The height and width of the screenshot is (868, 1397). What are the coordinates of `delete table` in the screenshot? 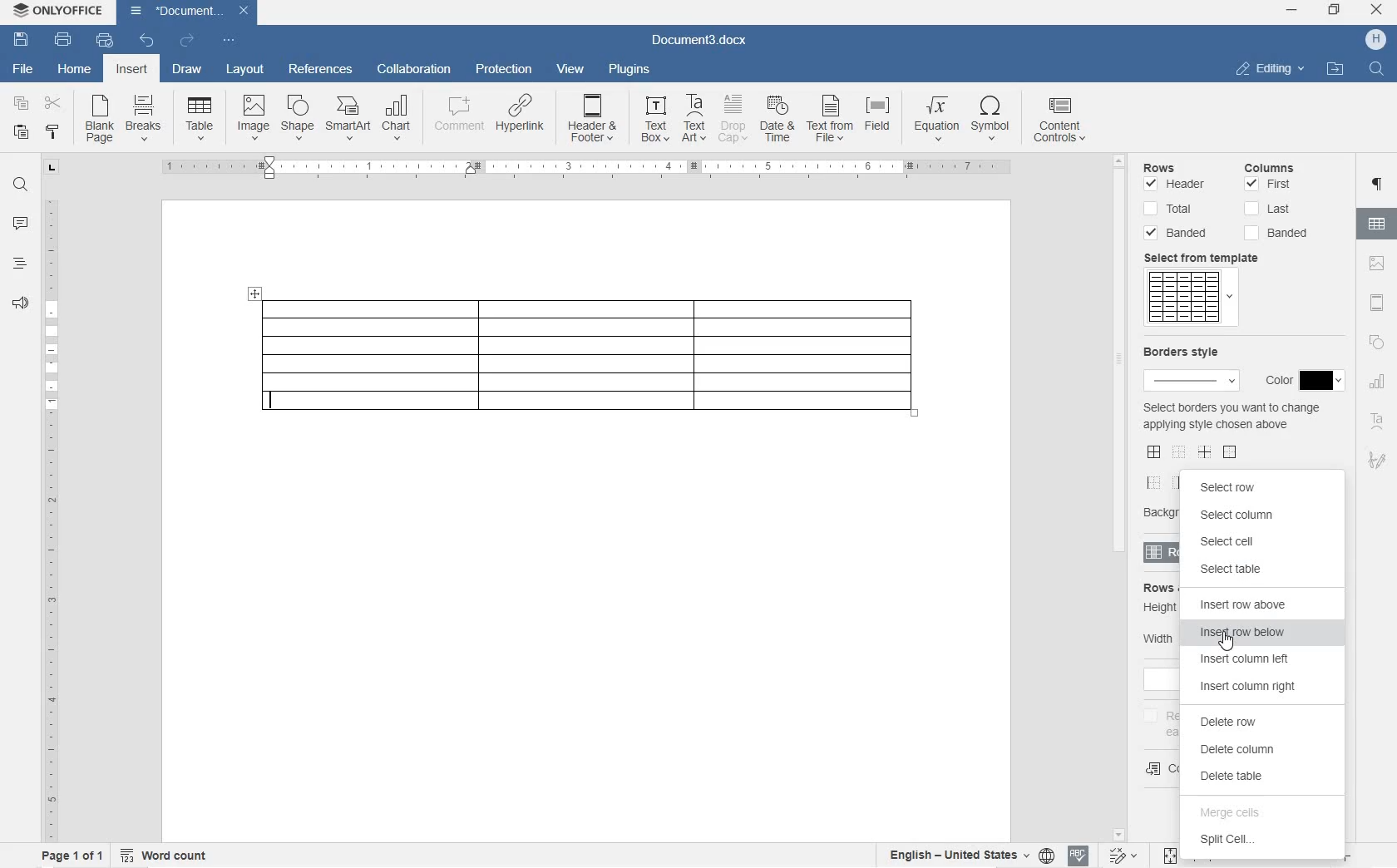 It's located at (1233, 777).